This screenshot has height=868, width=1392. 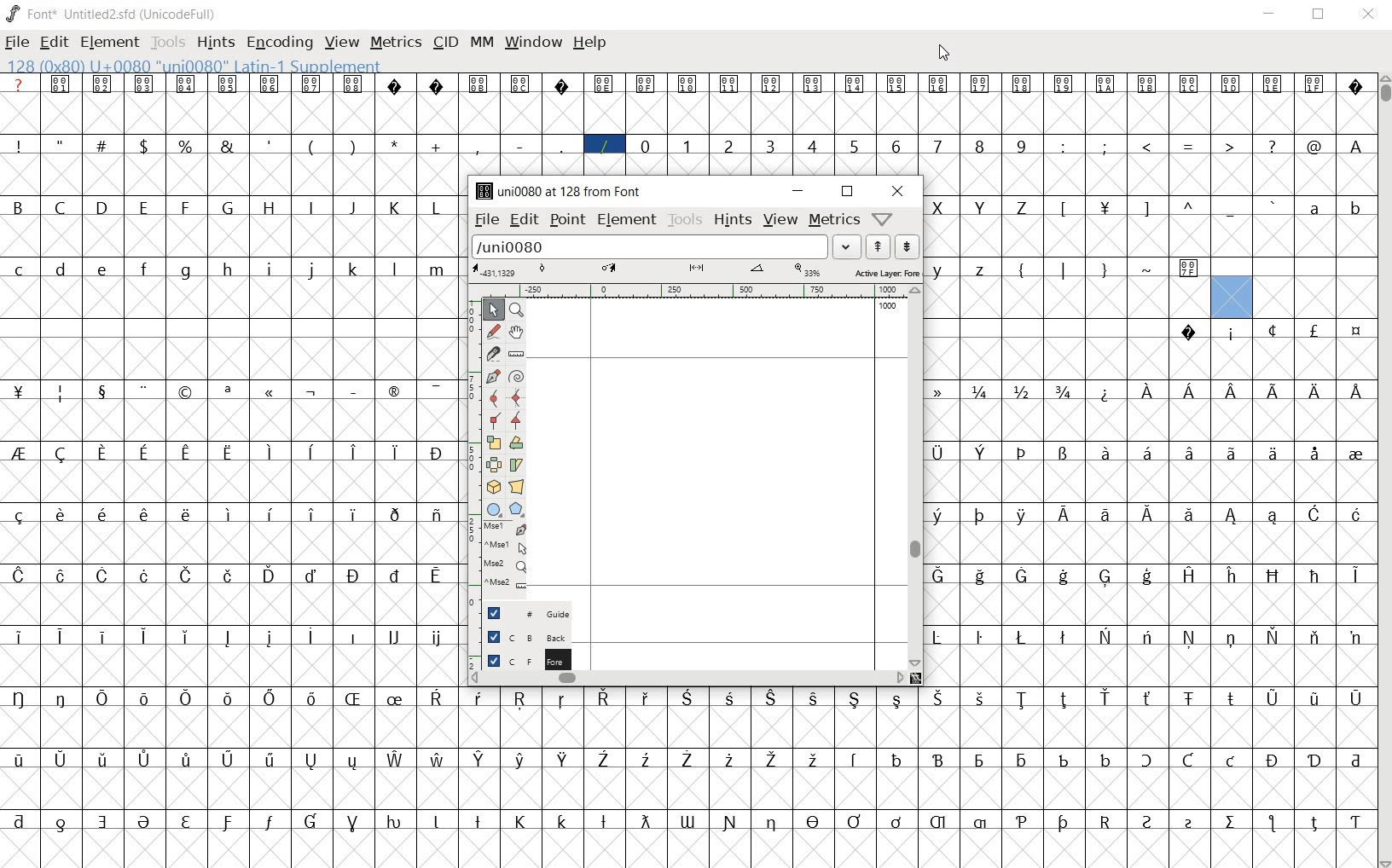 What do you see at coordinates (1147, 576) in the screenshot?
I see `glyph` at bounding box center [1147, 576].